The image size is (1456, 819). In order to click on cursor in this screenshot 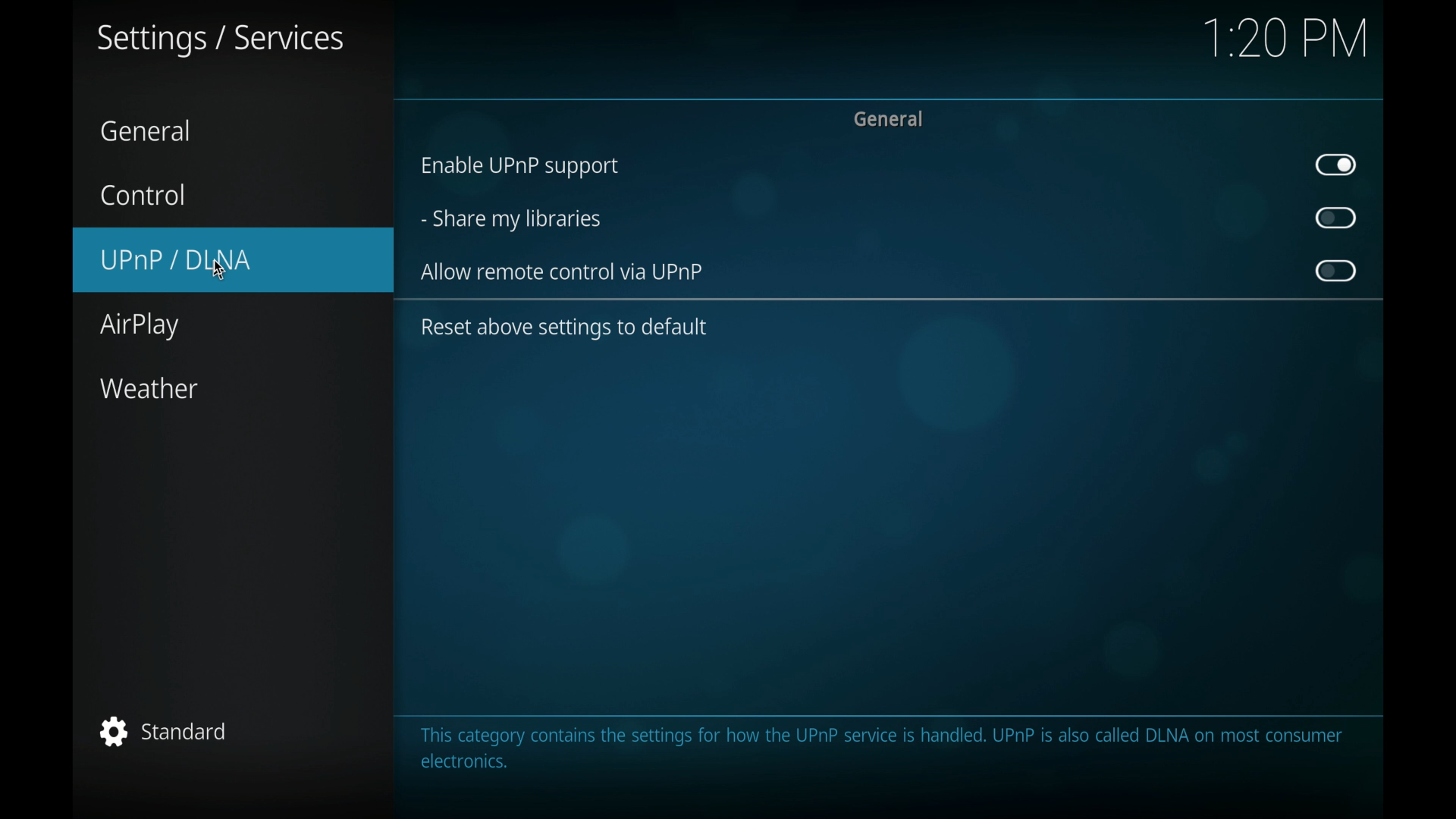, I will do `click(217, 269)`.